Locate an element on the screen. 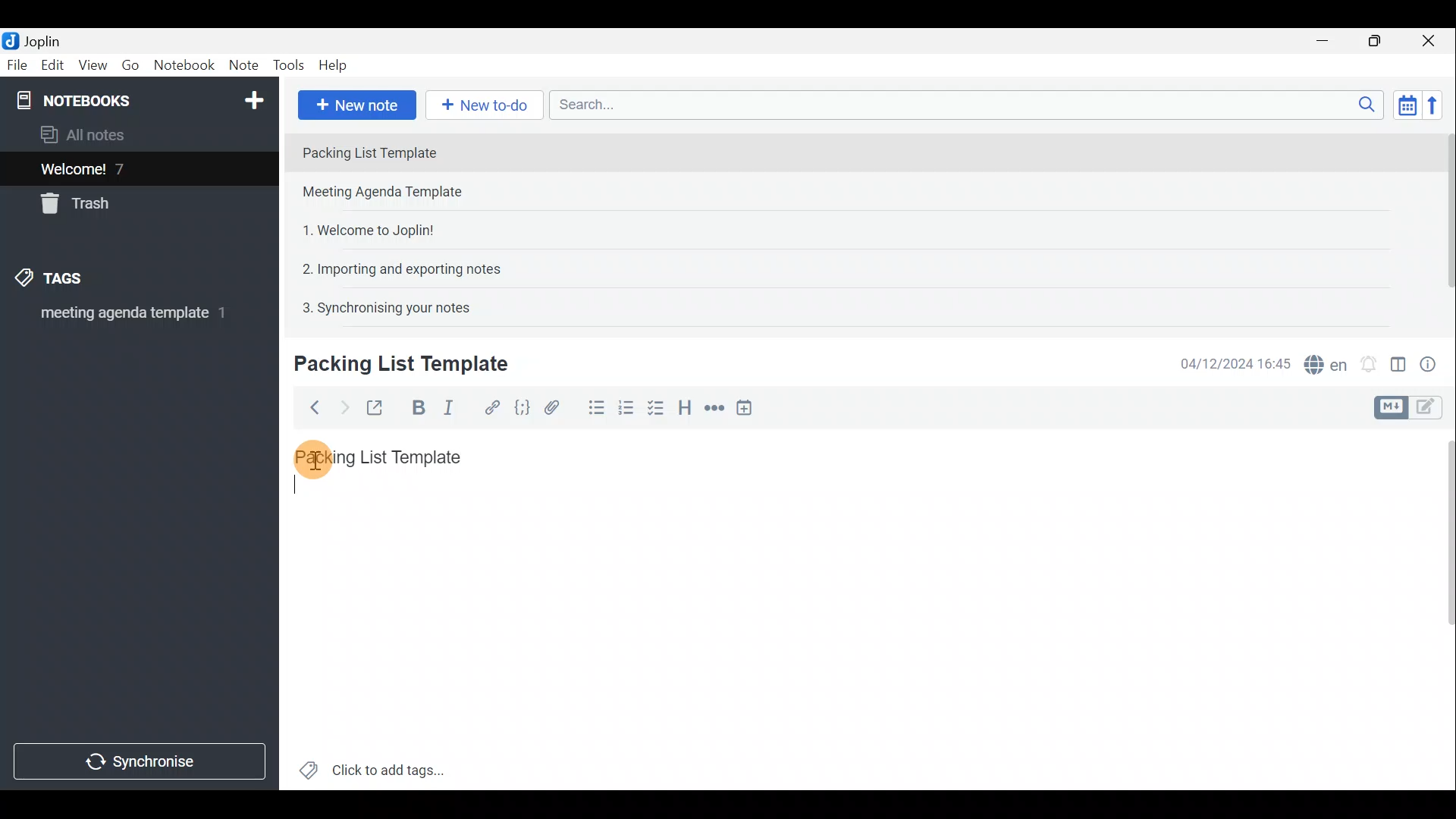  Note properties is located at coordinates (1433, 362).